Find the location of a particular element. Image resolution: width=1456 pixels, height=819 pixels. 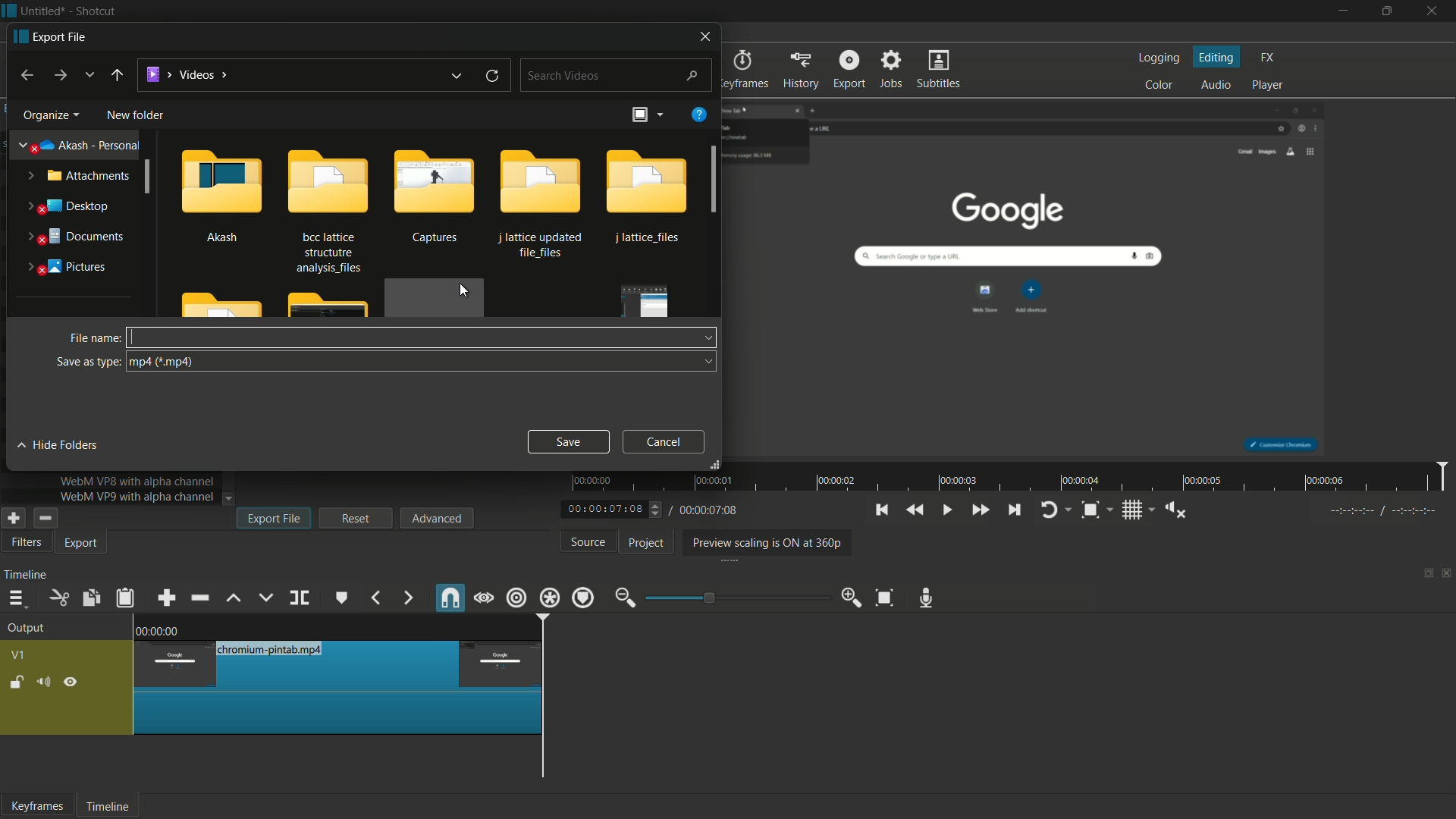

close timeline is located at coordinates (1447, 575).